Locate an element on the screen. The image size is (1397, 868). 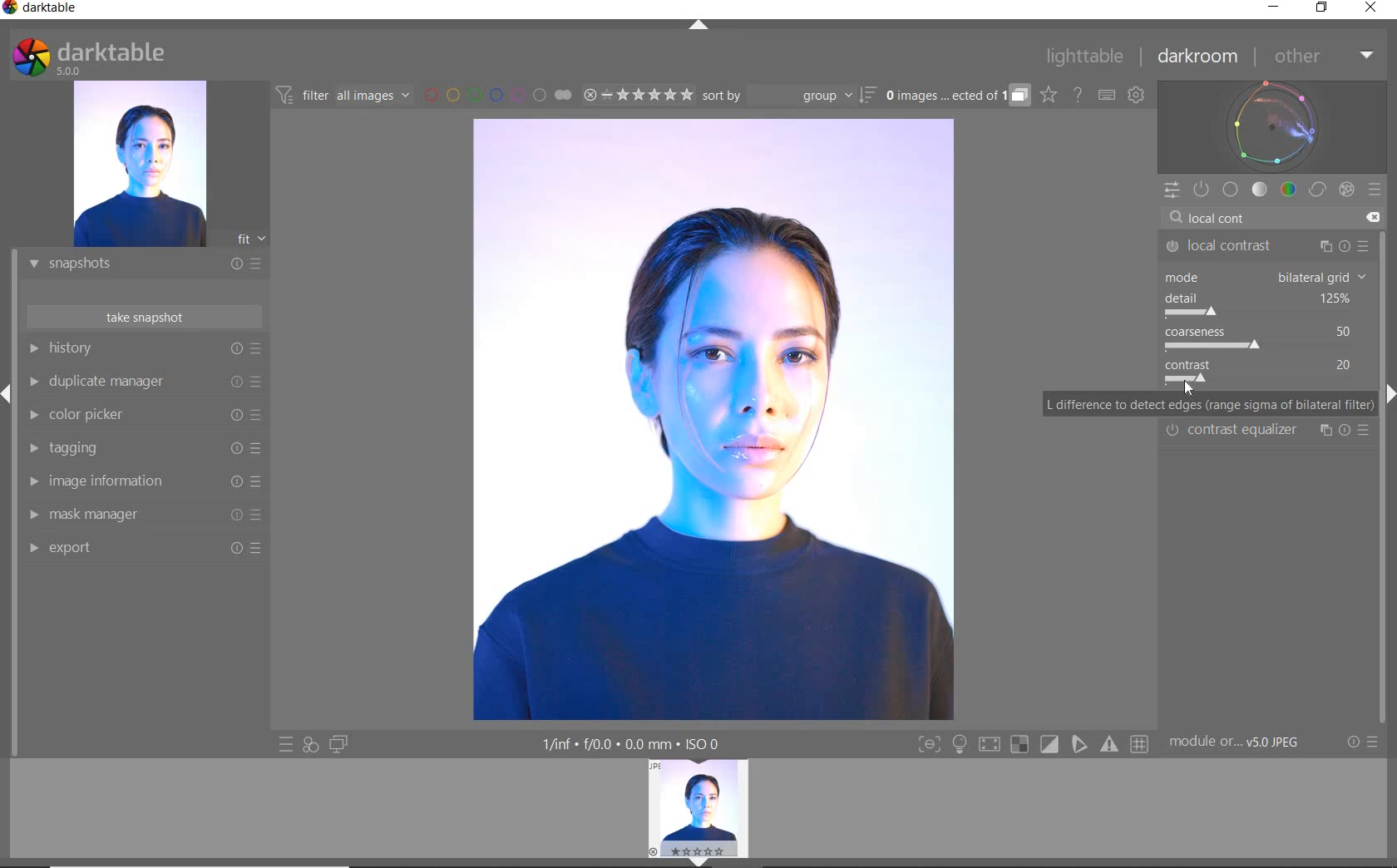
IMAGE INFORMATION is located at coordinates (139, 486).